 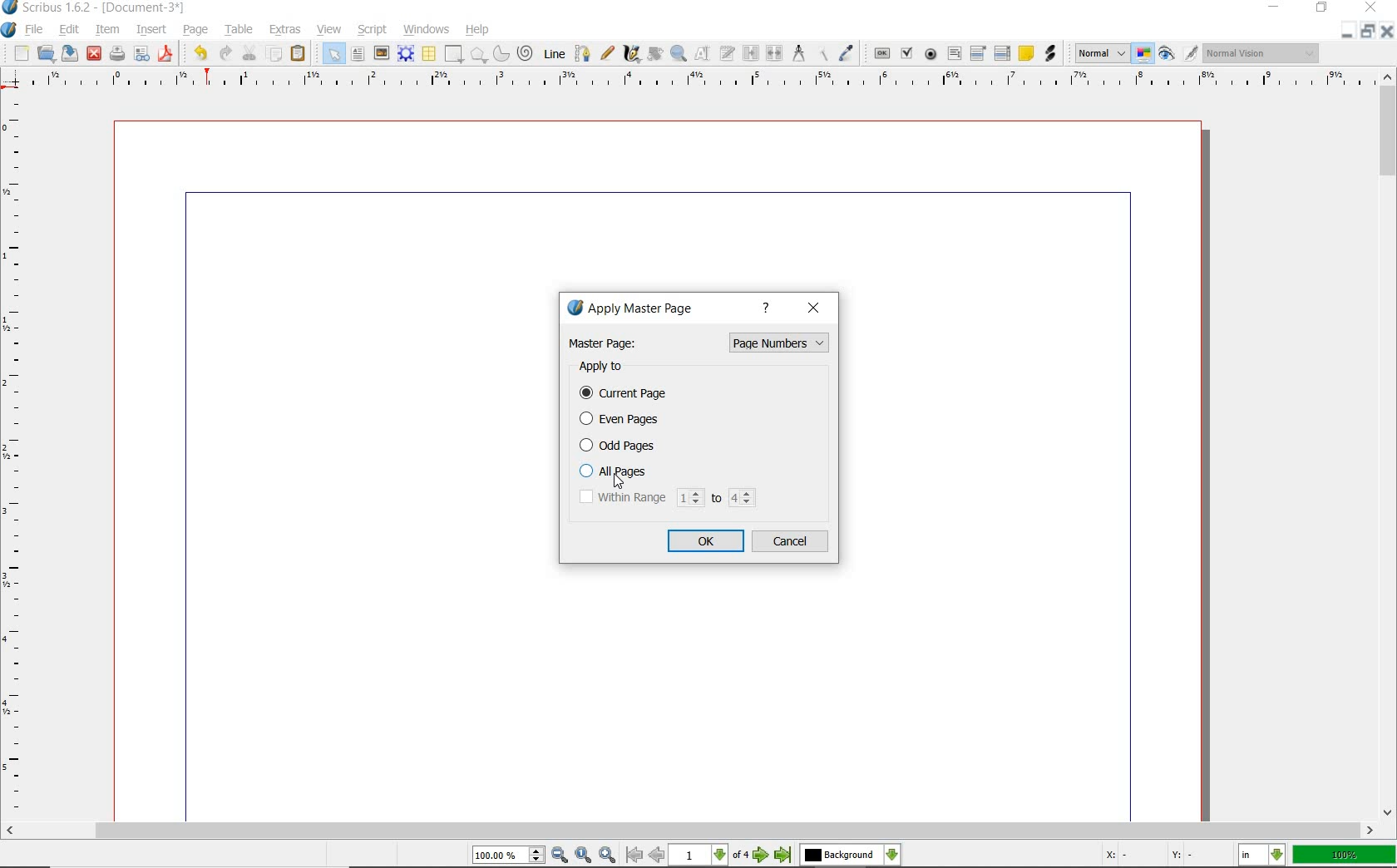 What do you see at coordinates (608, 367) in the screenshot?
I see `apply to` at bounding box center [608, 367].